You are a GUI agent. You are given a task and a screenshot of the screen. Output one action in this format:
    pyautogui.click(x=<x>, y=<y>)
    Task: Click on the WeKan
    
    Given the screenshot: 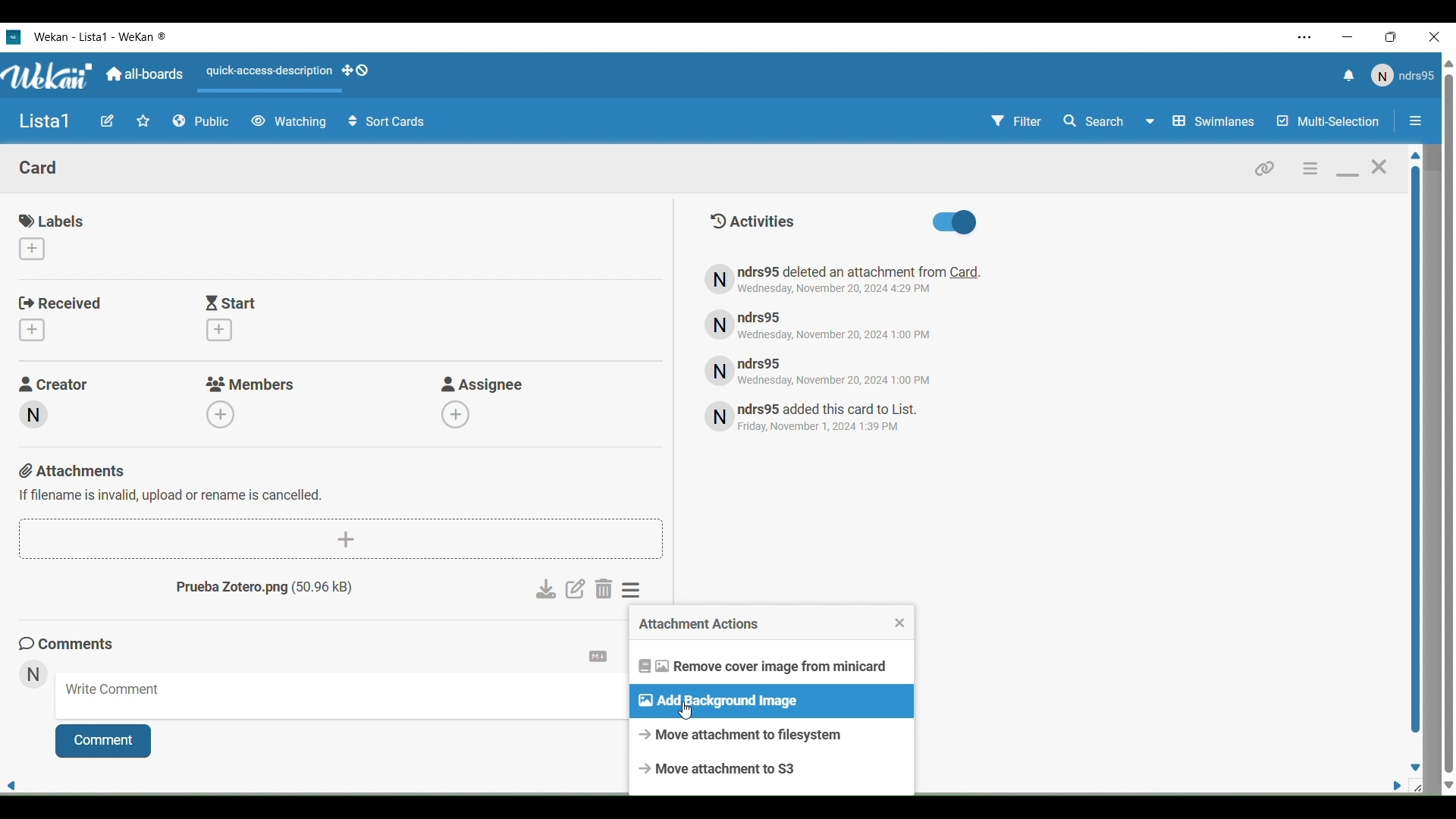 What is the action you would take?
    pyautogui.click(x=49, y=76)
    